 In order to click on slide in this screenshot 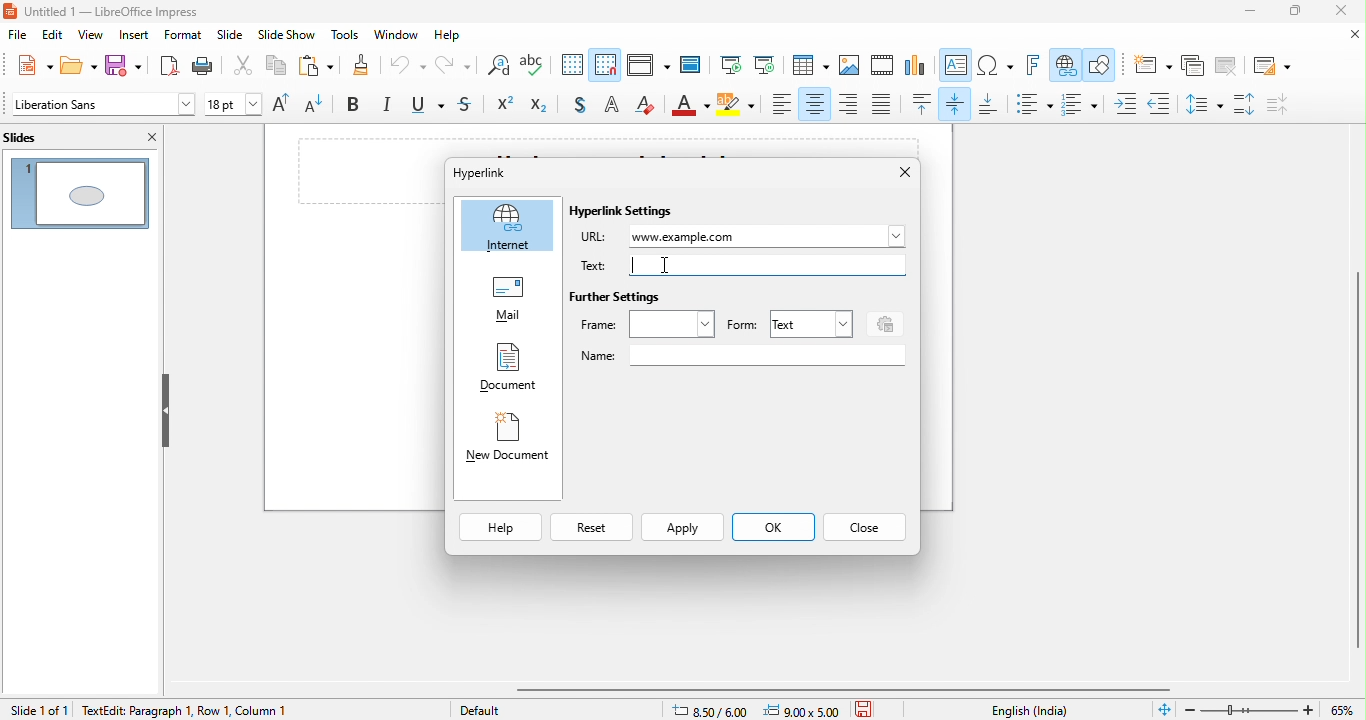, I will do `click(230, 37)`.